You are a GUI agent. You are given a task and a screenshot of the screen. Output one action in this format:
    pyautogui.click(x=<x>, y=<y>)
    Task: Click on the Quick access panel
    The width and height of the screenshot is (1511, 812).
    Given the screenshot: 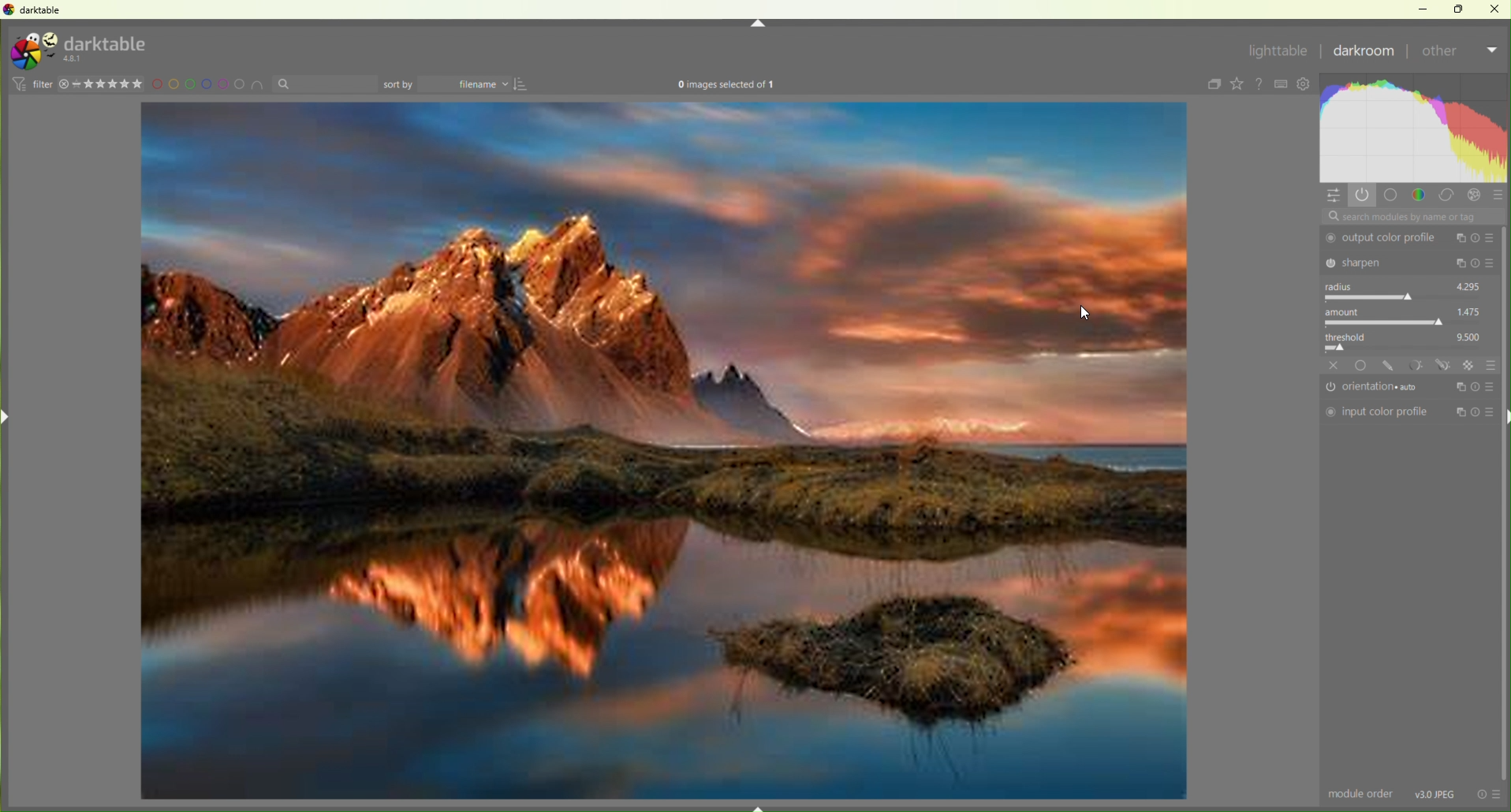 What is the action you would take?
    pyautogui.click(x=1334, y=196)
    